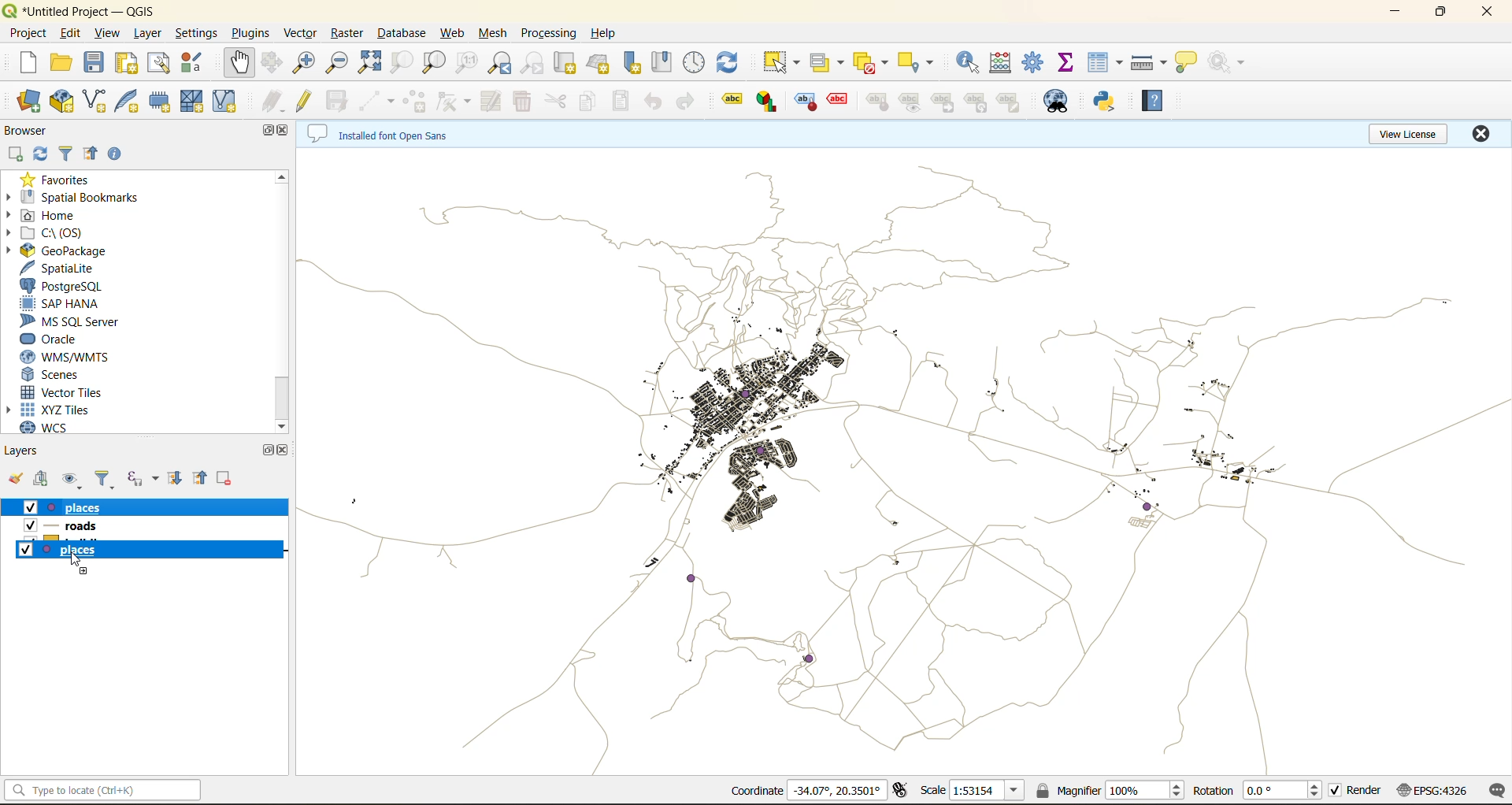  Describe the element at coordinates (17, 480) in the screenshot. I see `open` at that location.